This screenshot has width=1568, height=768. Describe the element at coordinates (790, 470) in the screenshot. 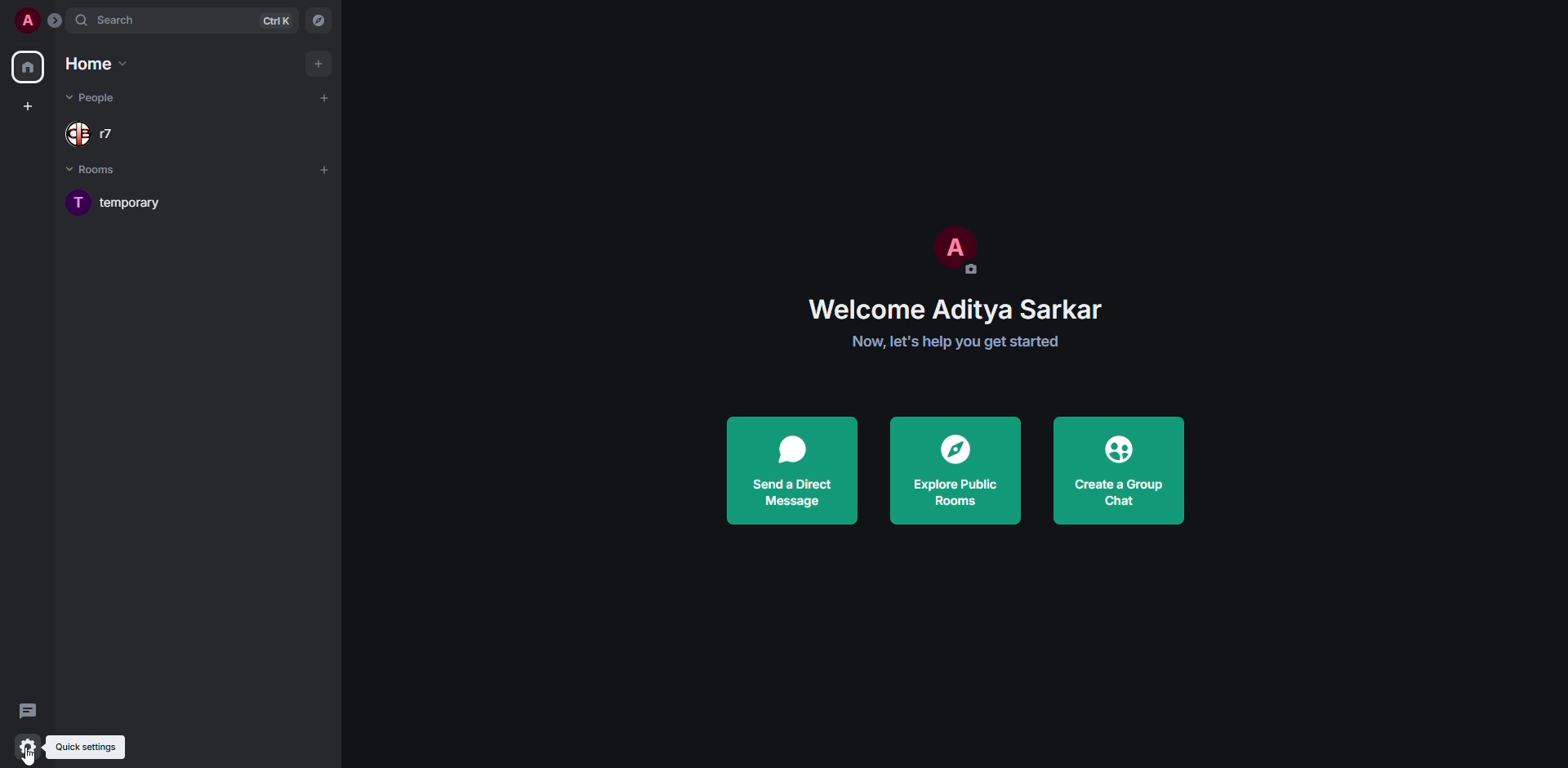

I see `send a direct message` at that location.